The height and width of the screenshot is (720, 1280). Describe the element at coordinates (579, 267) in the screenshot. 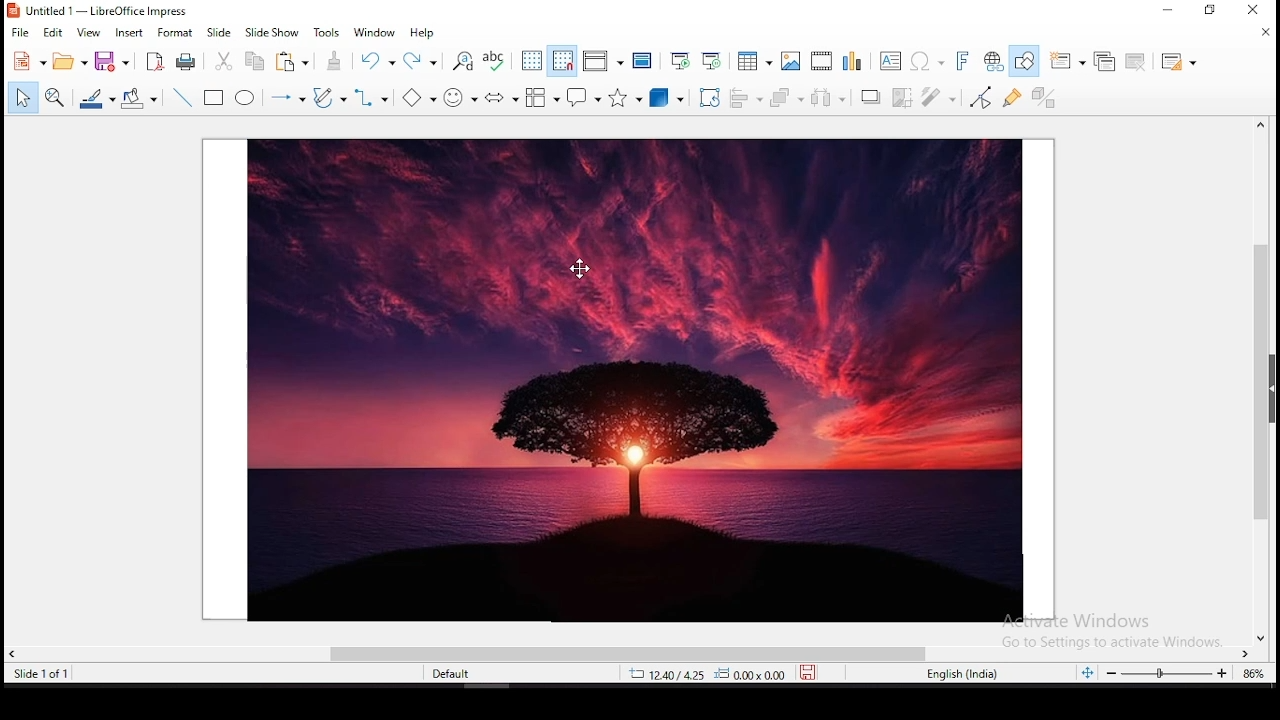

I see `mouse pointer` at that location.